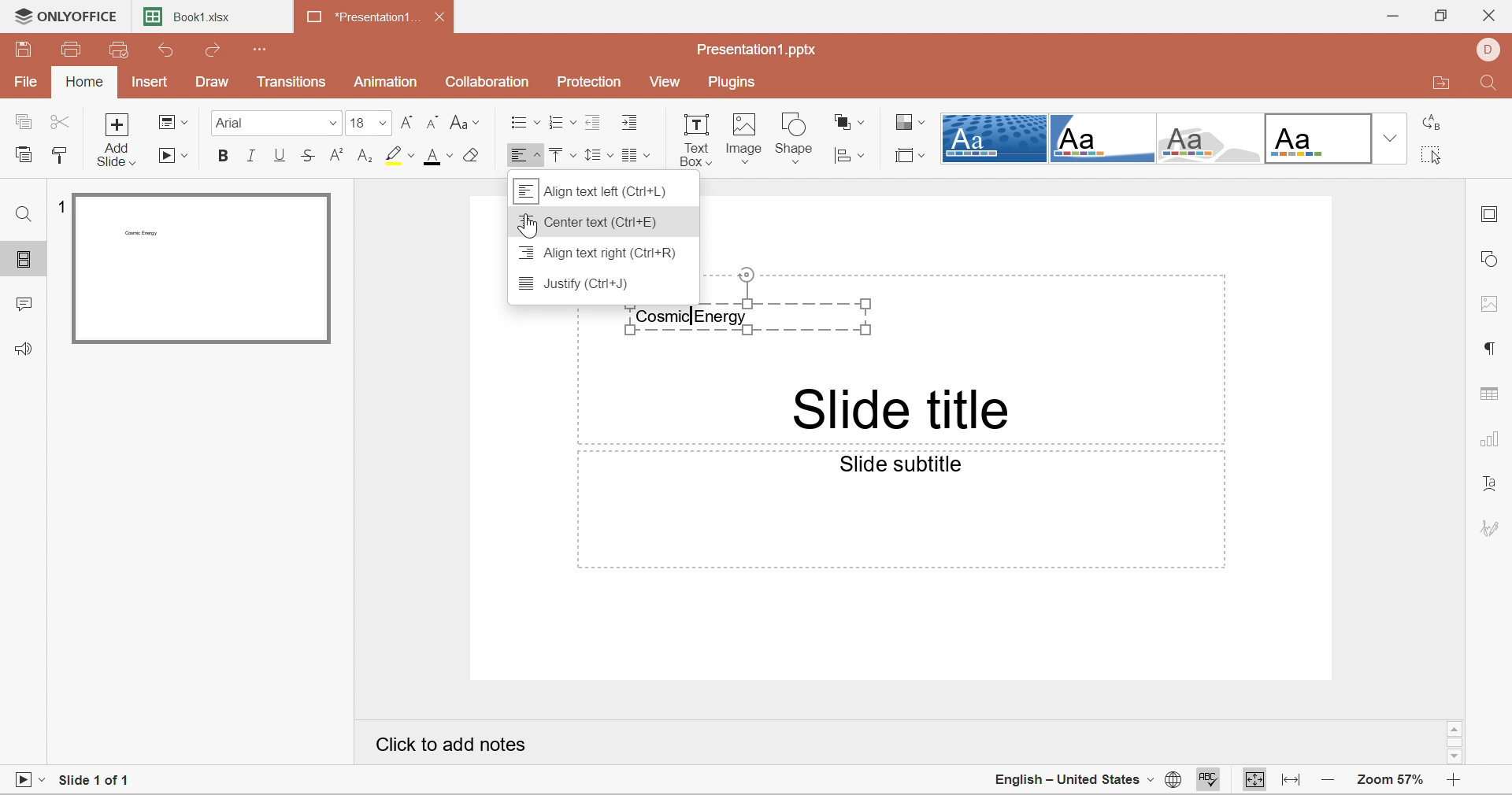  Describe the element at coordinates (639, 157) in the screenshot. I see `Insert columns` at that location.